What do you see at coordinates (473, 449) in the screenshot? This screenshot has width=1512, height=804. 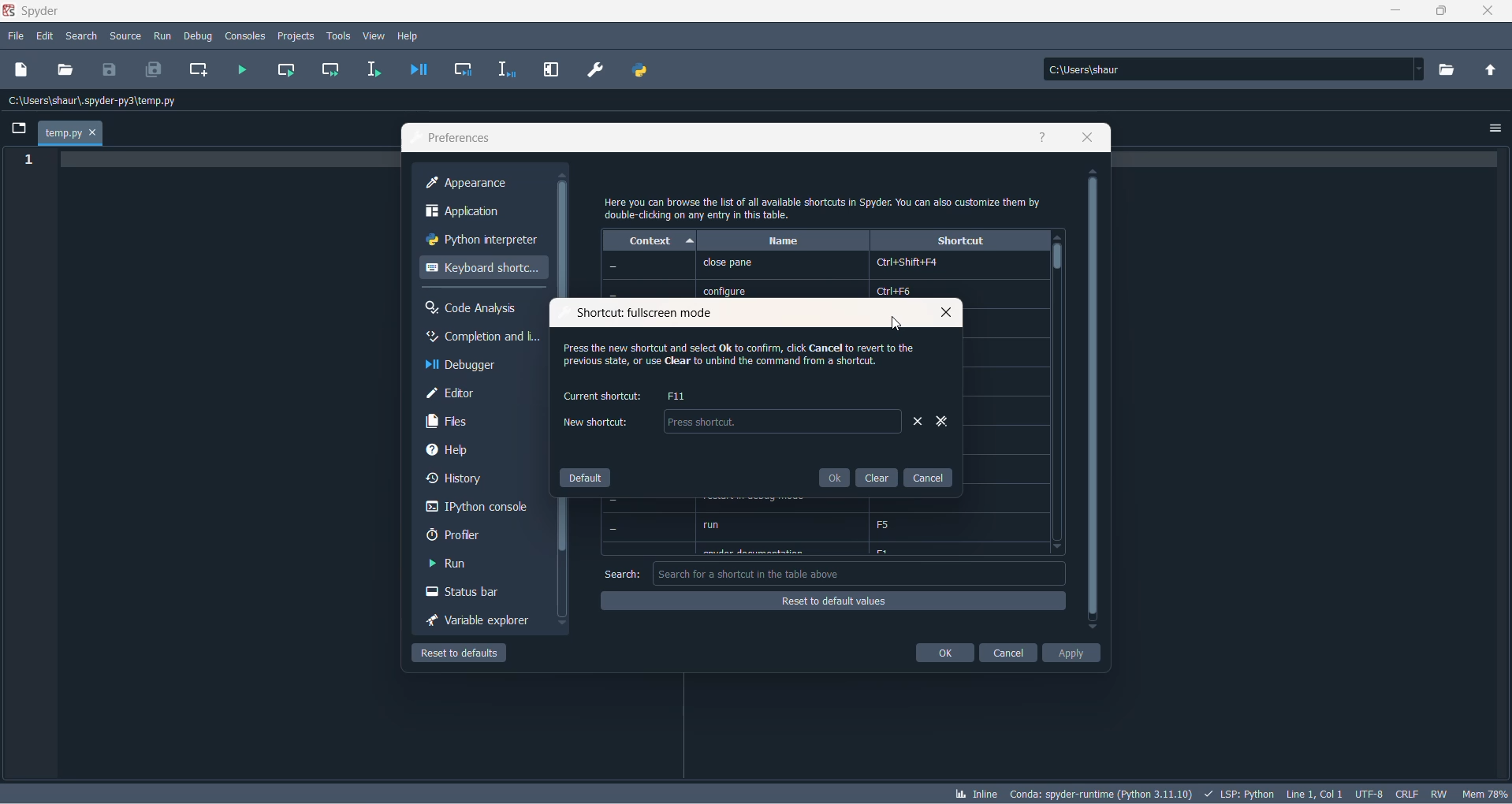 I see `help` at bounding box center [473, 449].